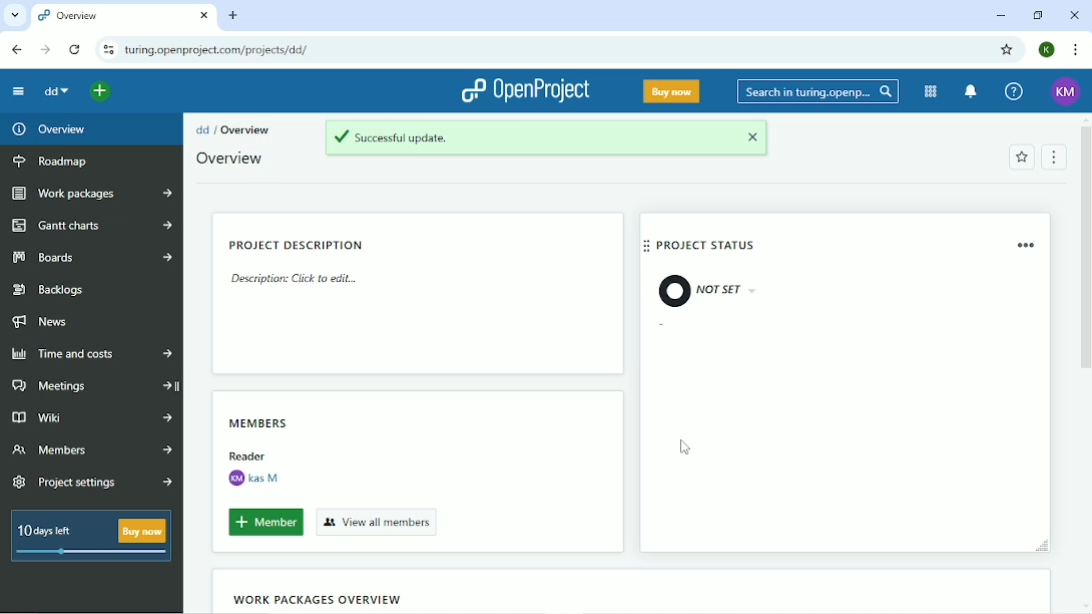 This screenshot has width=1092, height=614. Describe the element at coordinates (16, 17) in the screenshot. I see `Search tabs` at that location.